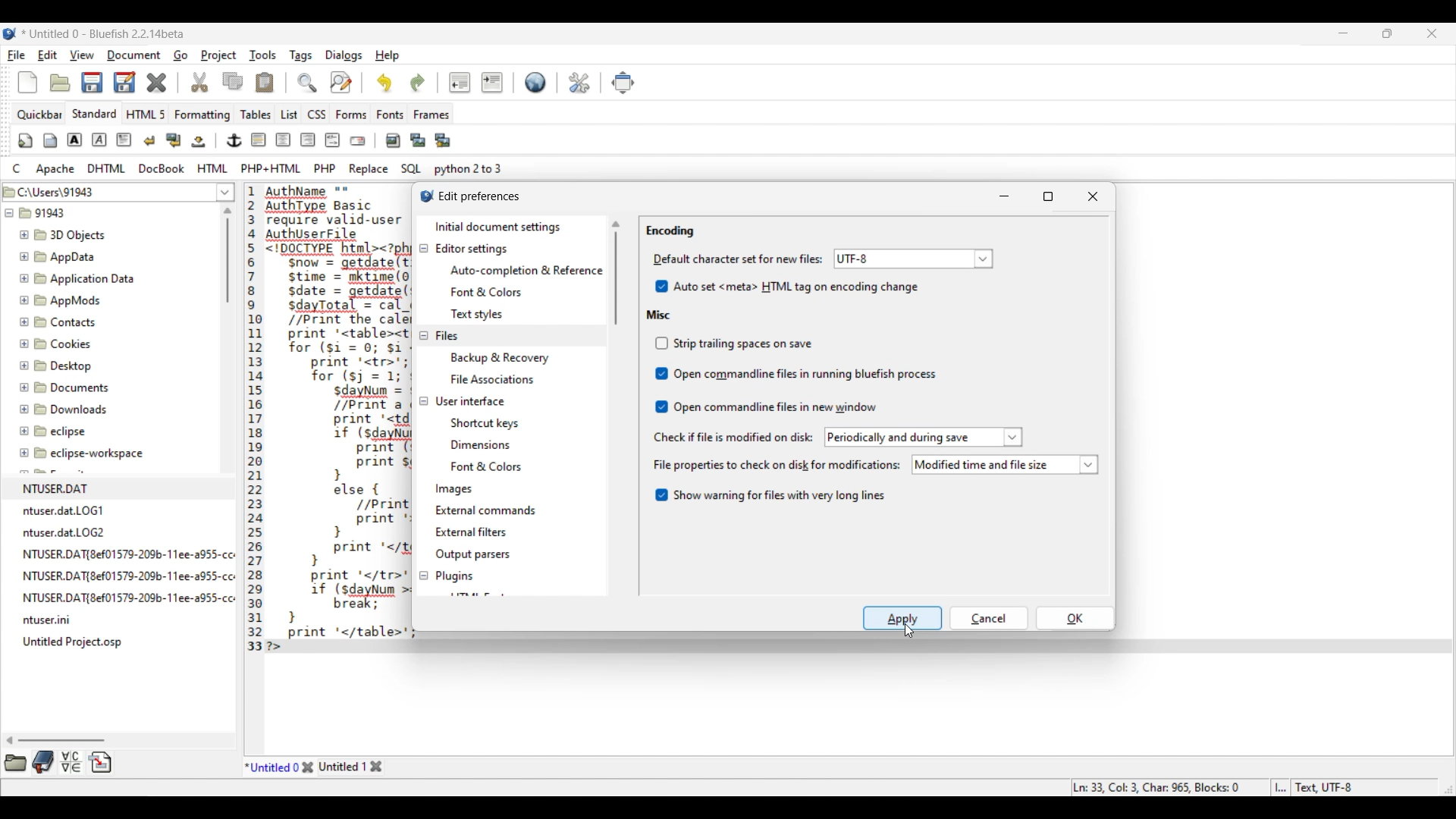 The width and height of the screenshot is (1456, 819). Describe the element at coordinates (487, 510) in the screenshot. I see `External commands` at that location.